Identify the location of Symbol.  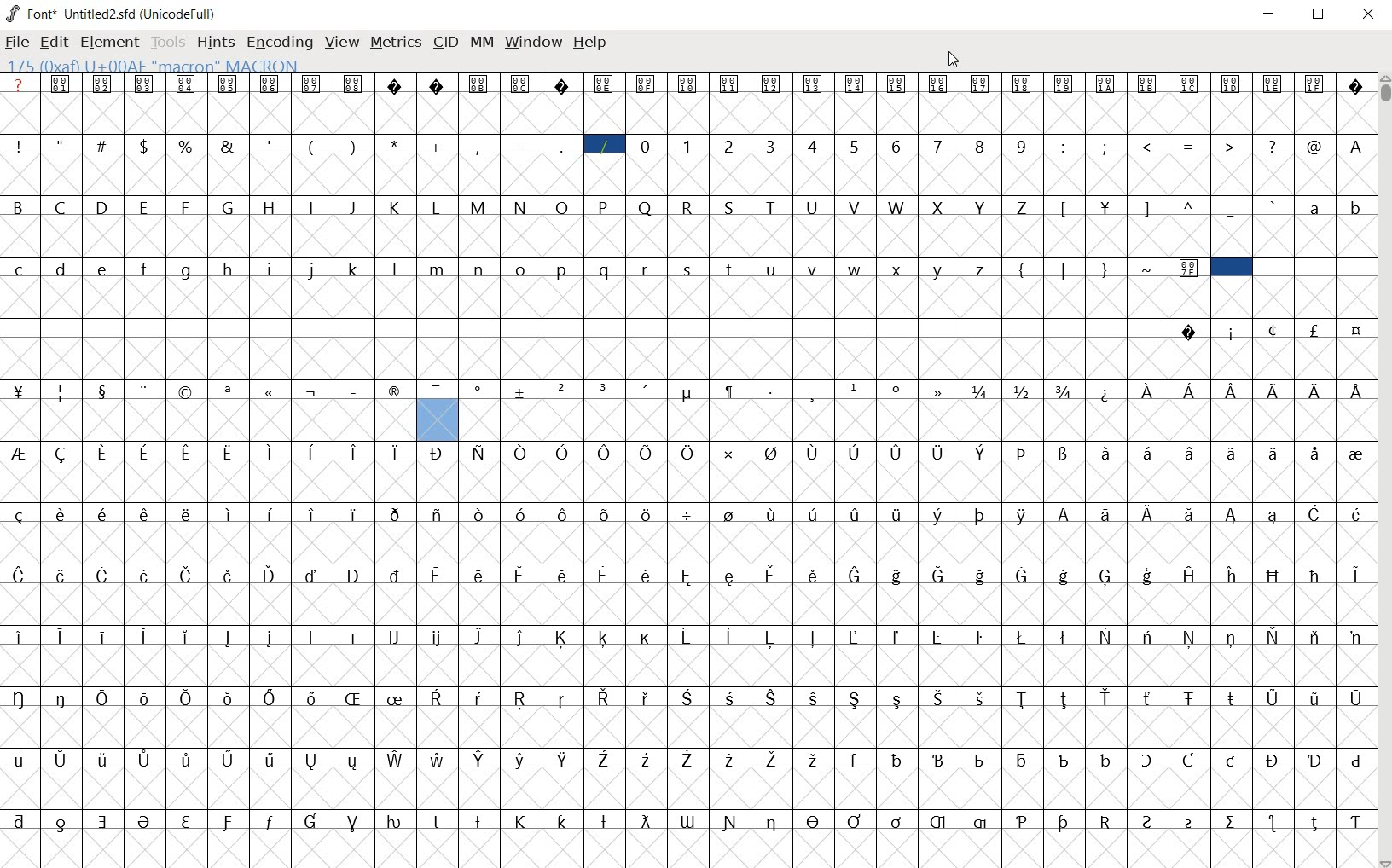
(899, 820).